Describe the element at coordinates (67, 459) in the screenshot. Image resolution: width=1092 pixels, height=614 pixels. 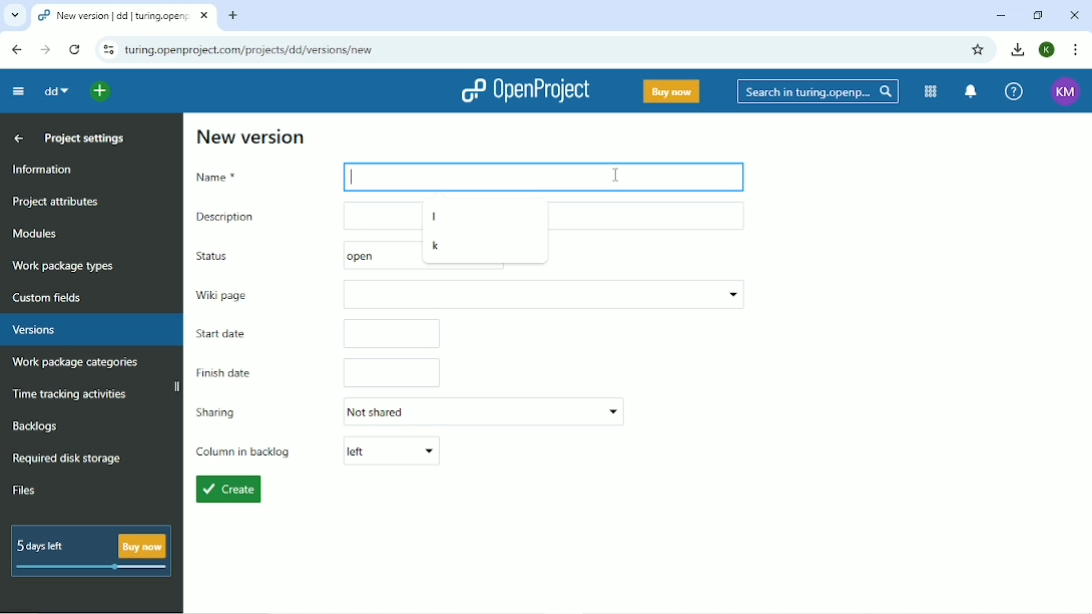
I see `Required disk storage` at that location.